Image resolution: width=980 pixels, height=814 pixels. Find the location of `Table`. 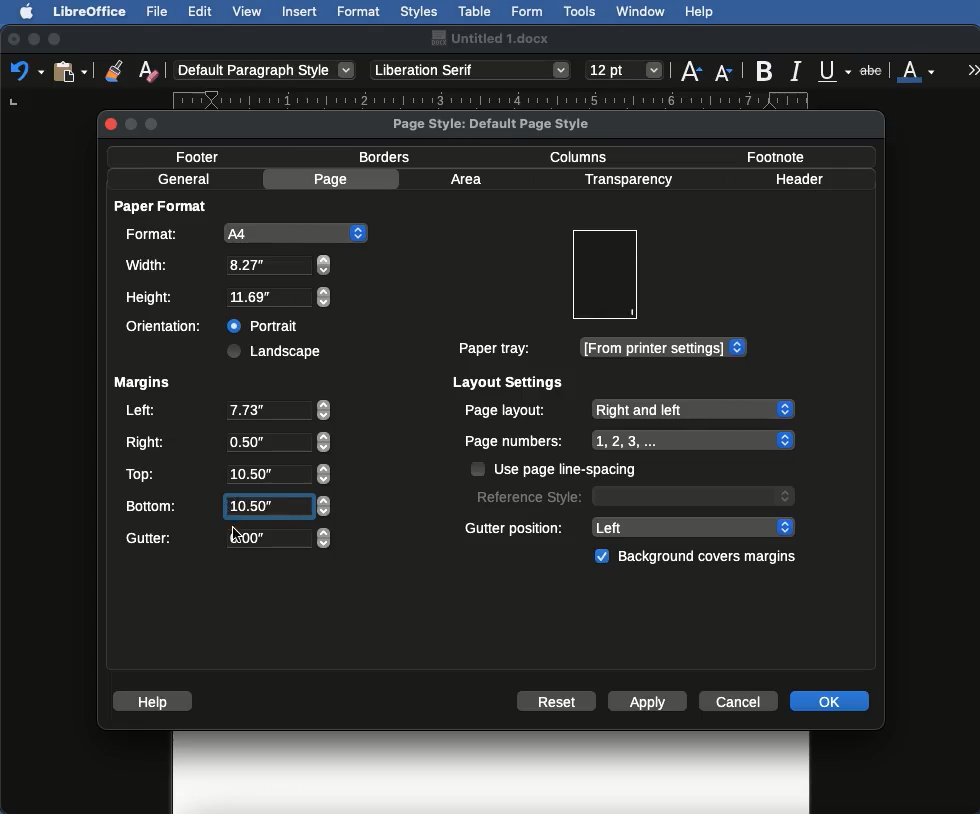

Table is located at coordinates (475, 9).